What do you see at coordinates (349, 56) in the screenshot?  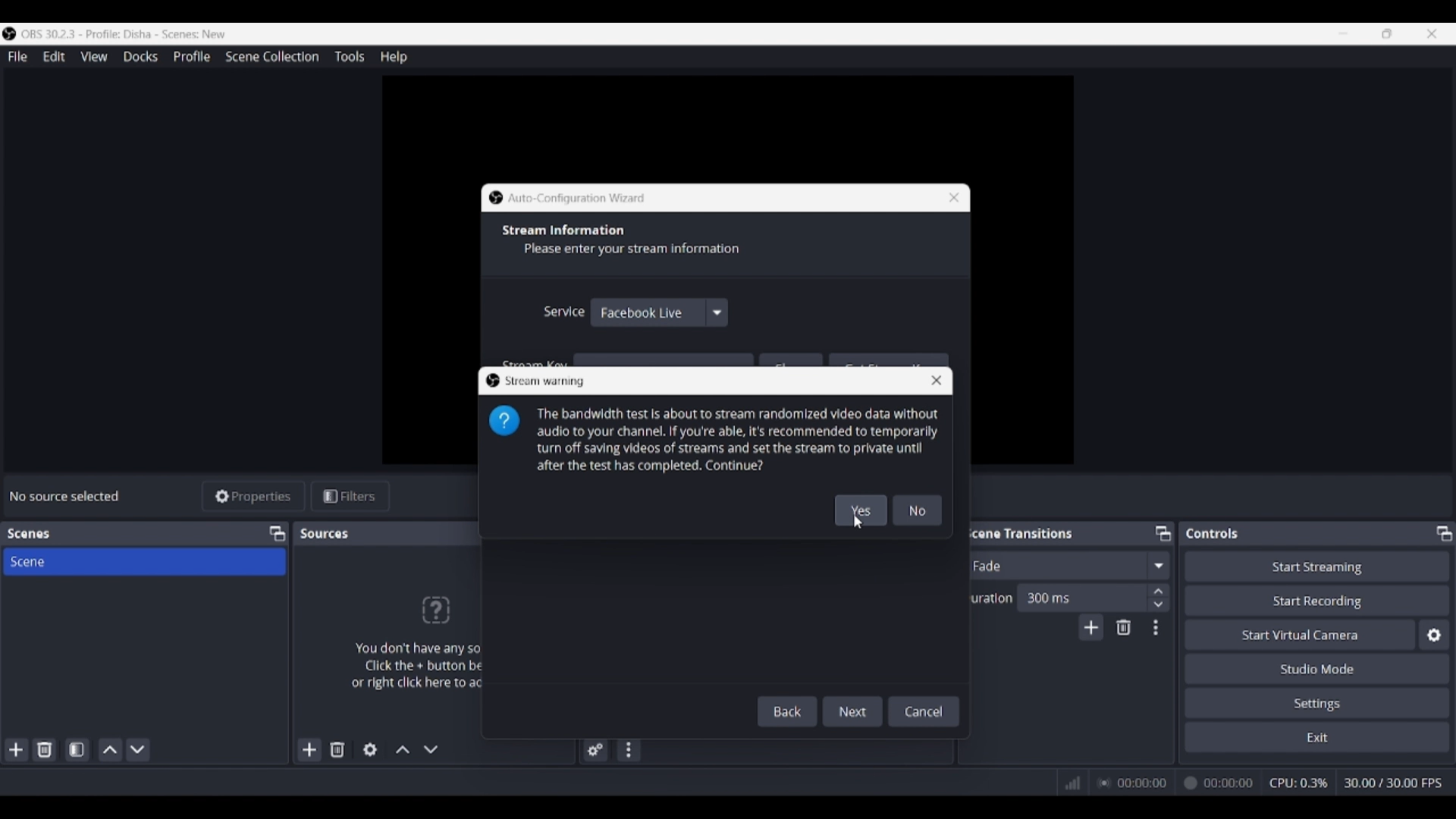 I see `Tools menu` at bounding box center [349, 56].